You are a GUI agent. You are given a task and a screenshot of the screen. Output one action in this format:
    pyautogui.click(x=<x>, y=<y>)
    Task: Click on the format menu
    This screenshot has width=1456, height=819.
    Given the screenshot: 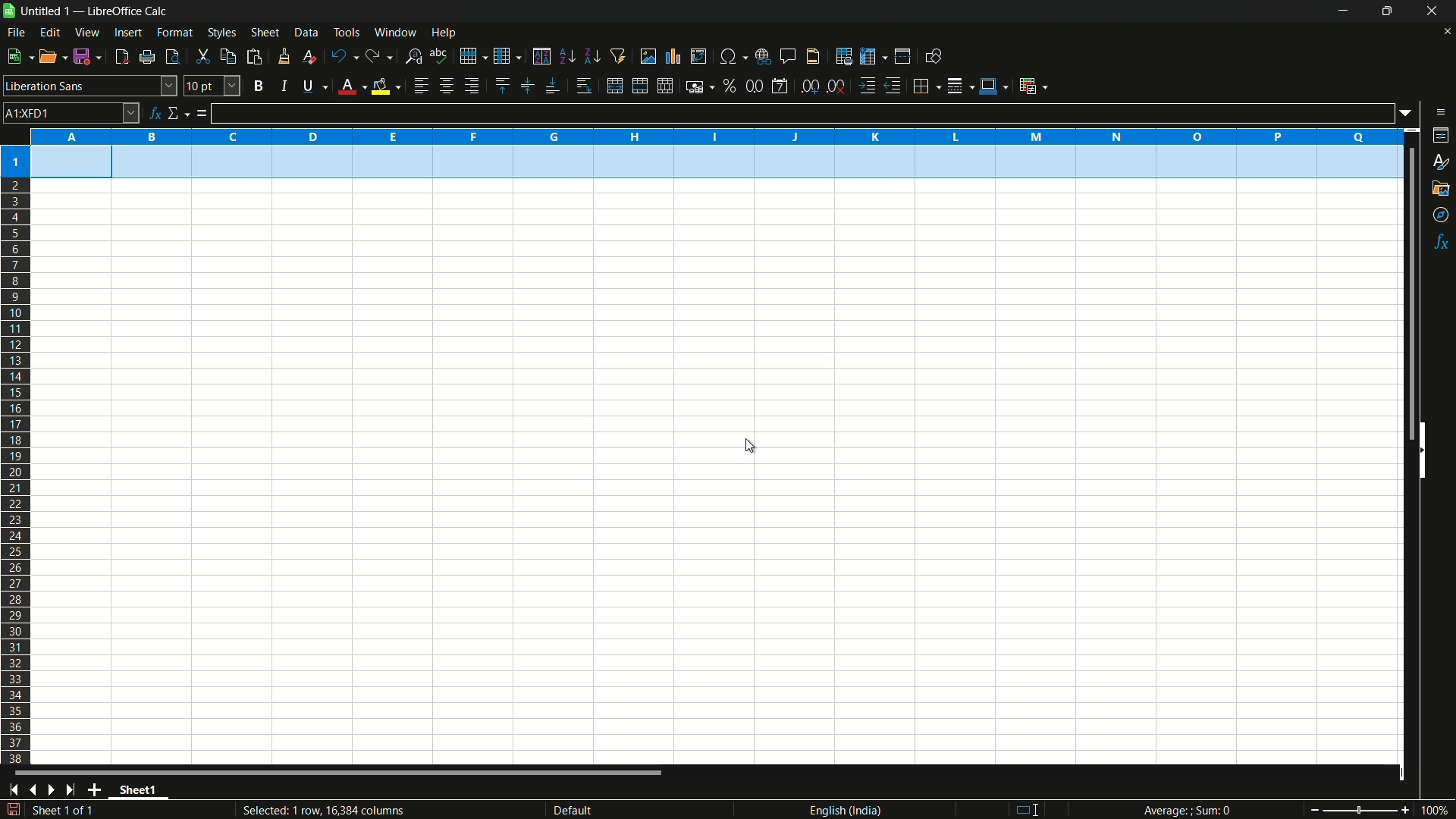 What is the action you would take?
    pyautogui.click(x=175, y=33)
    